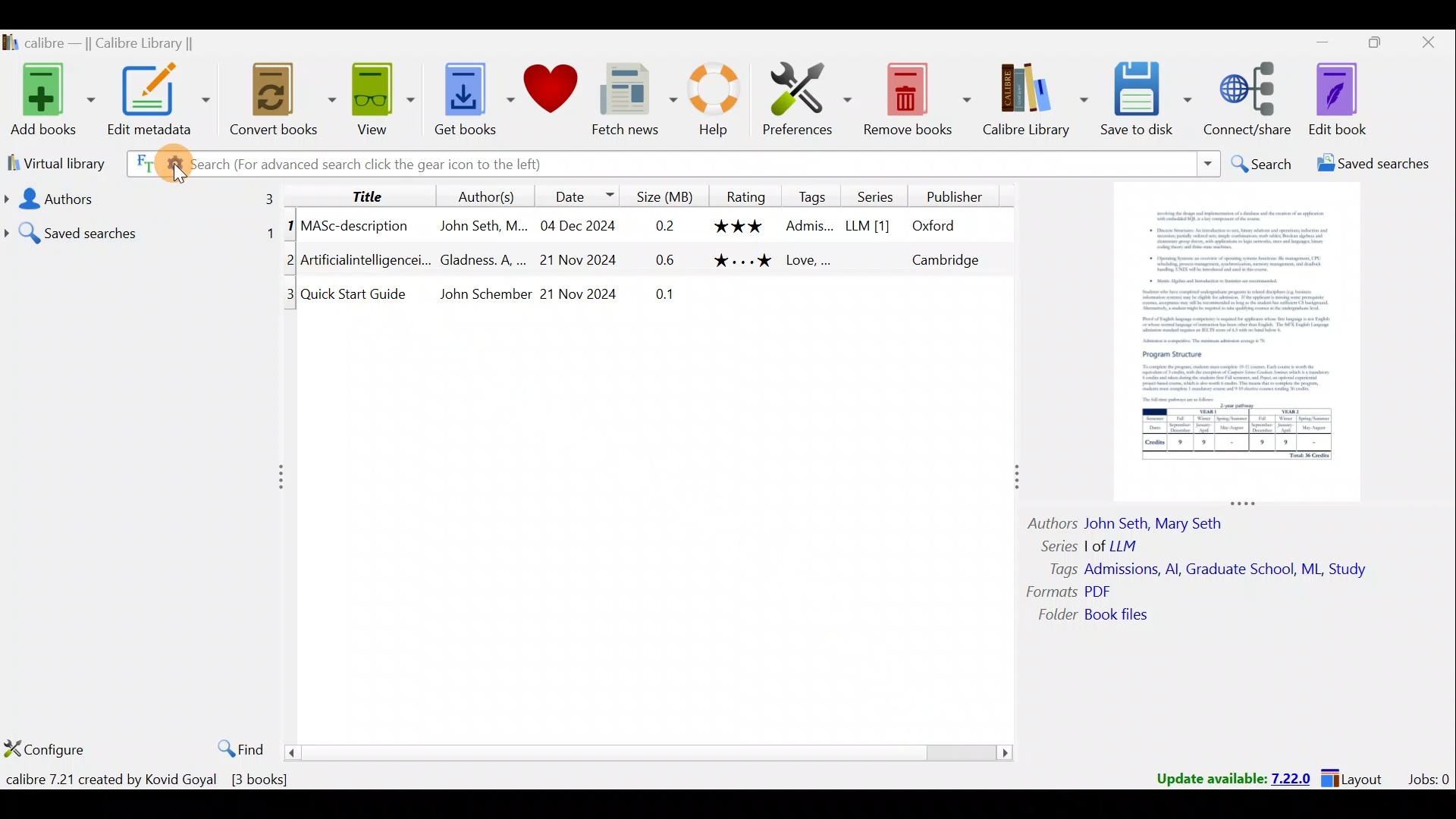 This screenshot has height=819, width=1456. What do you see at coordinates (118, 42) in the screenshot?
I see `calibre — || Calibre Library ||` at bounding box center [118, 42].